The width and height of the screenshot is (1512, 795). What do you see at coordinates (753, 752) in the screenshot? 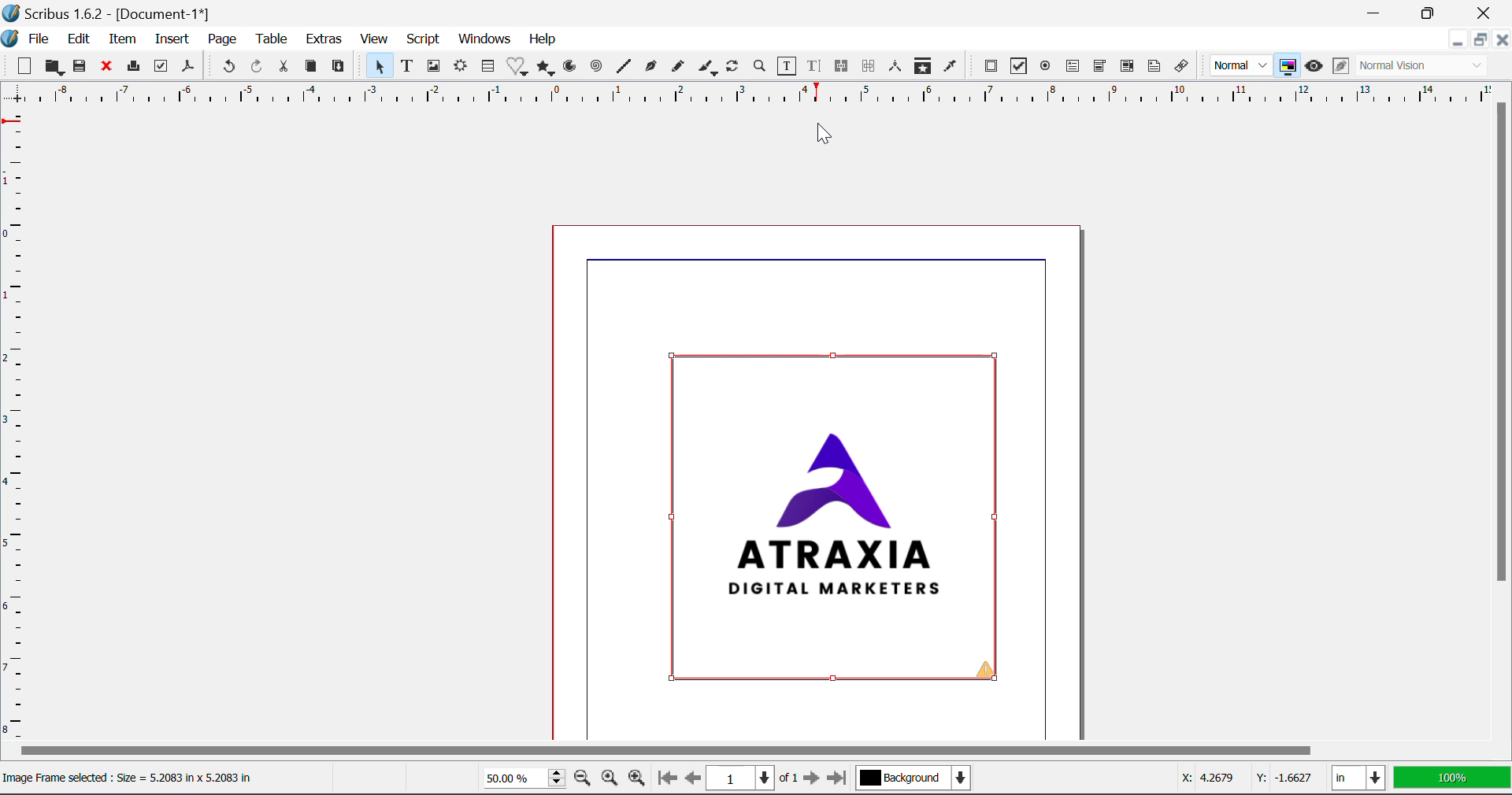
I see `Horizontal Scroll Bar` at bounding box center [753, 752].